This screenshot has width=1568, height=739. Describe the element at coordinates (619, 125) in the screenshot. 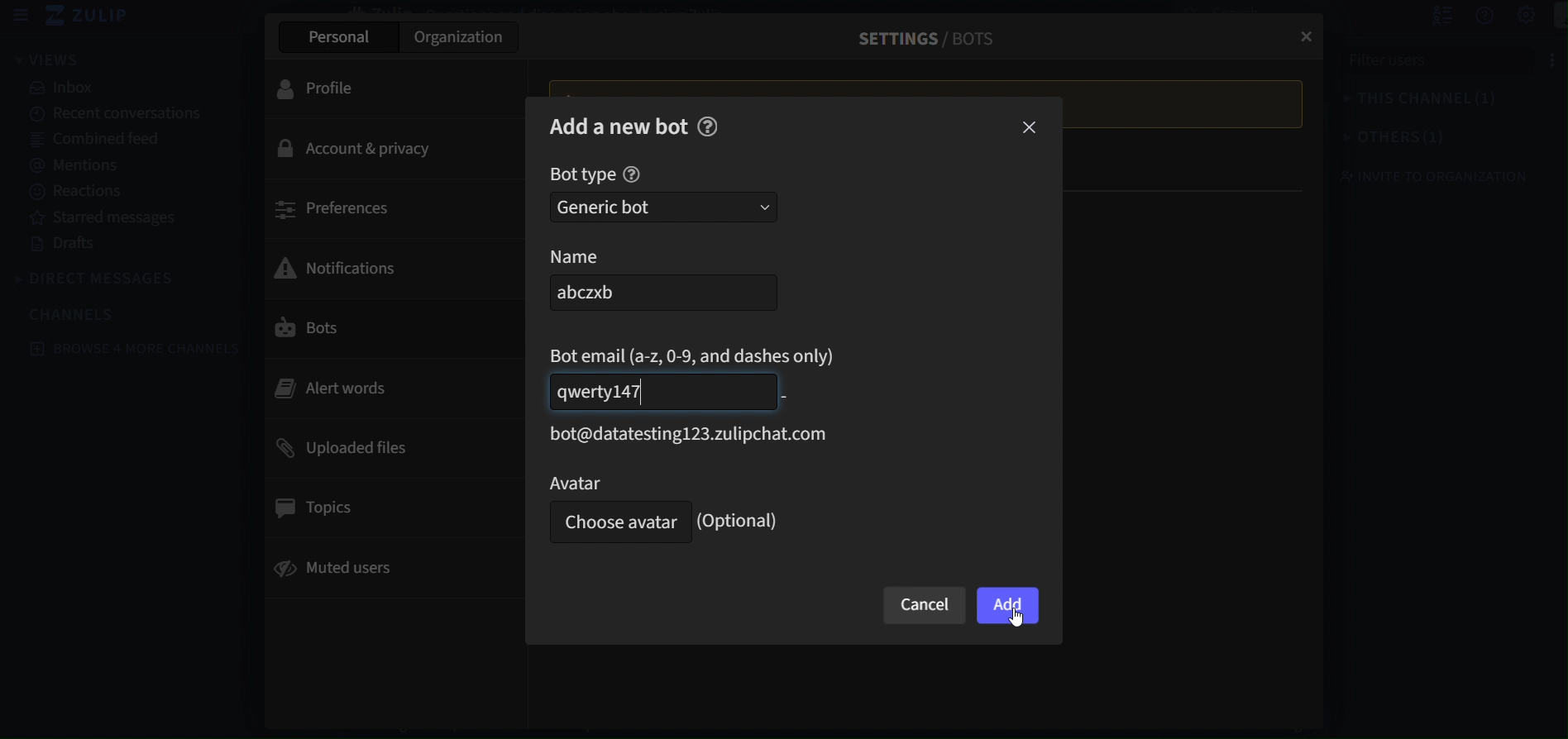

I see `add a new bot` at that location.